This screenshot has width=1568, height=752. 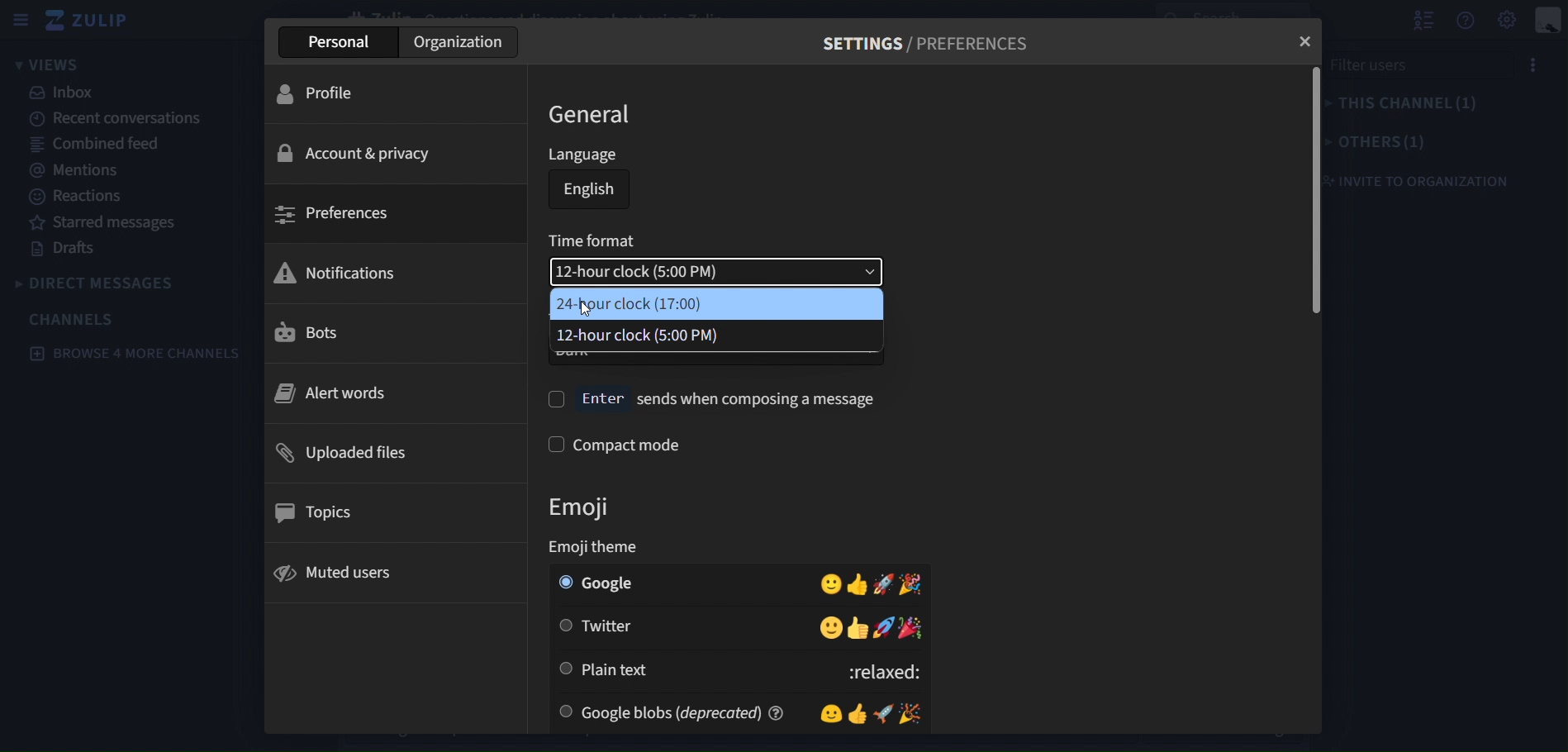 I want to click on starred messages, so click(x=111, y=224).